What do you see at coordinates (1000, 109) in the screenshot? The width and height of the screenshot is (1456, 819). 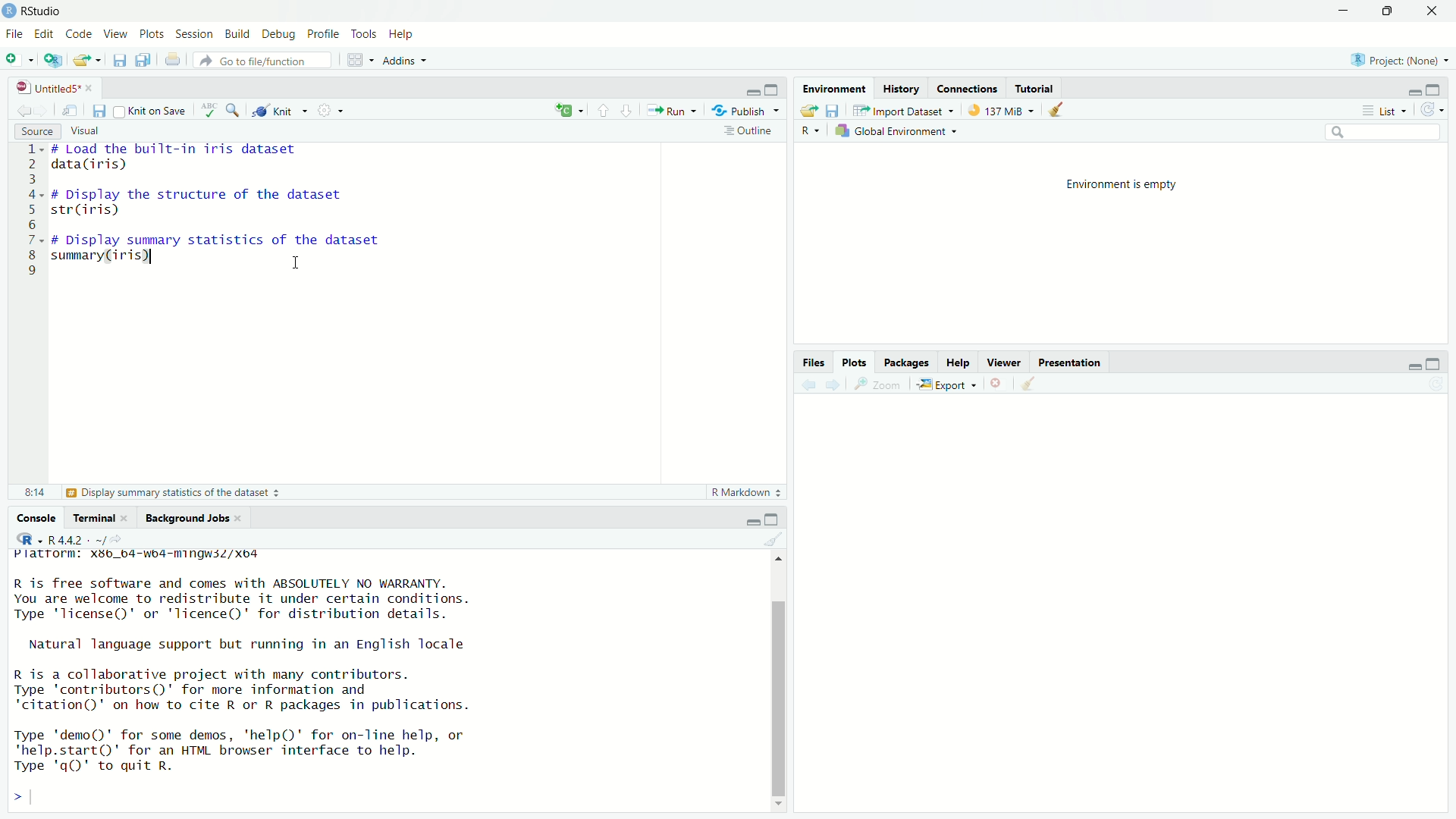 I see `137MiB` at bounding box center [1000, 109].